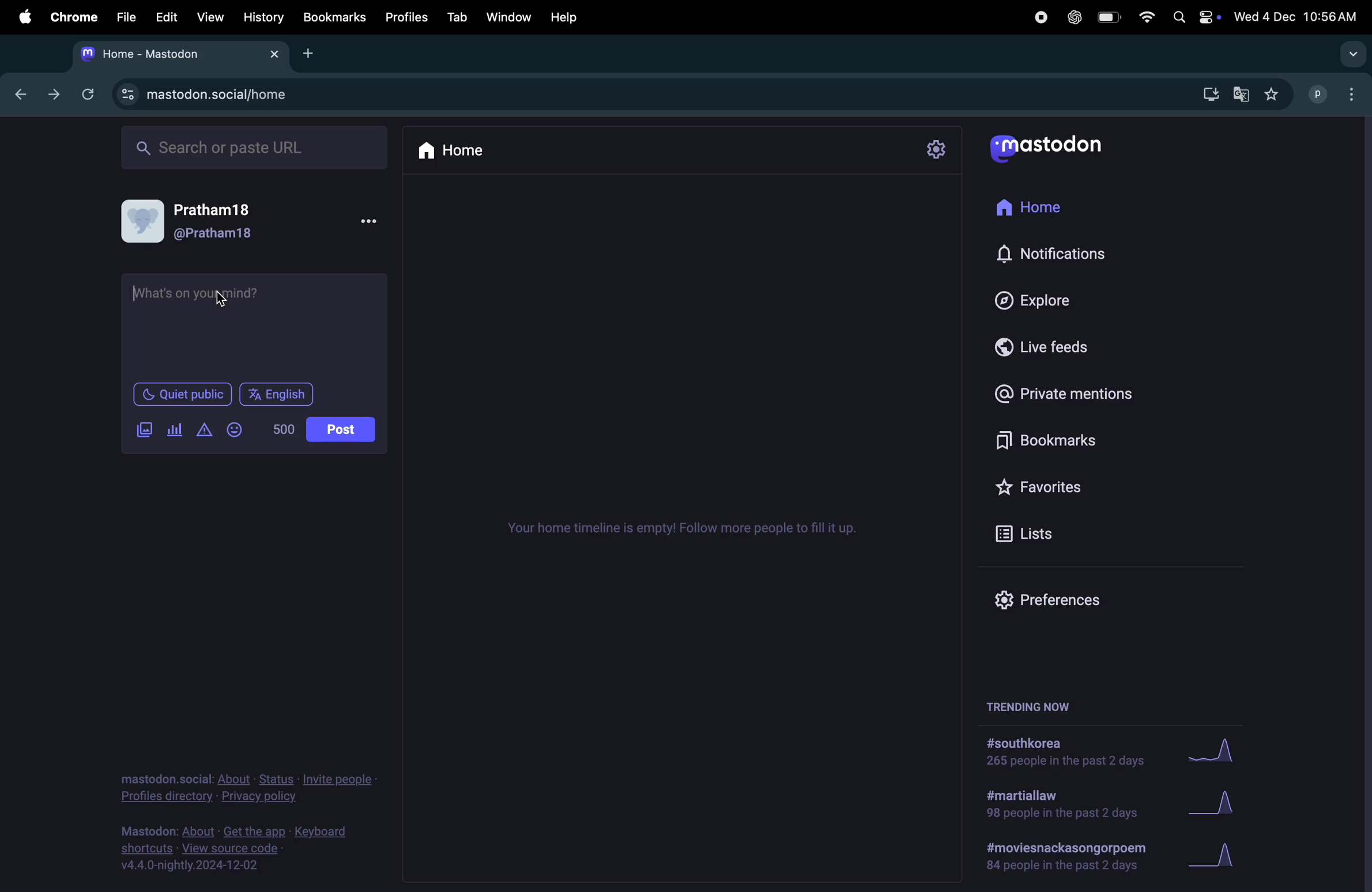 Image resolution: width=1372 pixels, height=892 pixels. Describe the element at coordinates (315, 52) in the screenshot. I see `add tab` at that location.